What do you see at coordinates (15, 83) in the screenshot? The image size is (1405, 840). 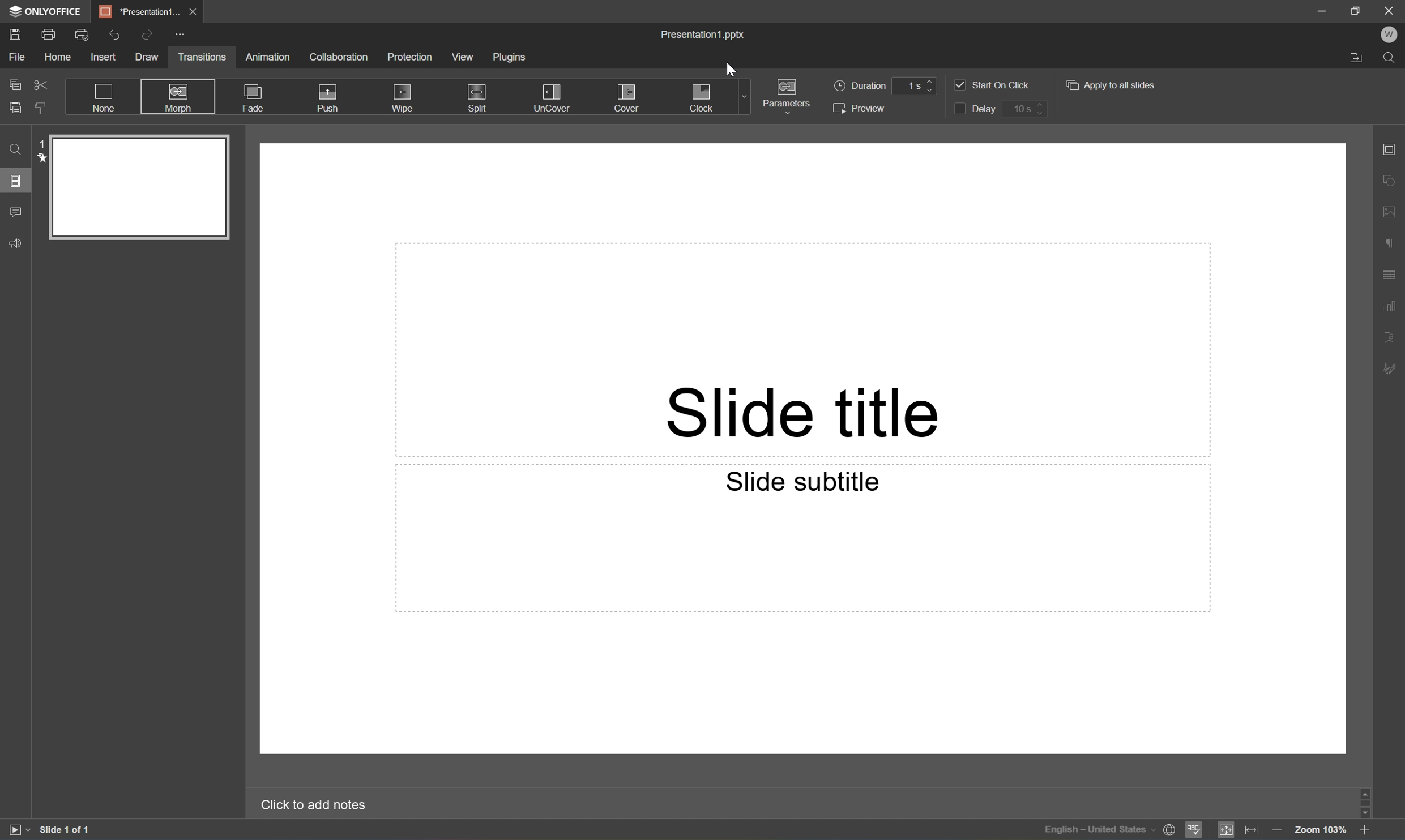 I see `Copy` at bounding box center [15, 83].